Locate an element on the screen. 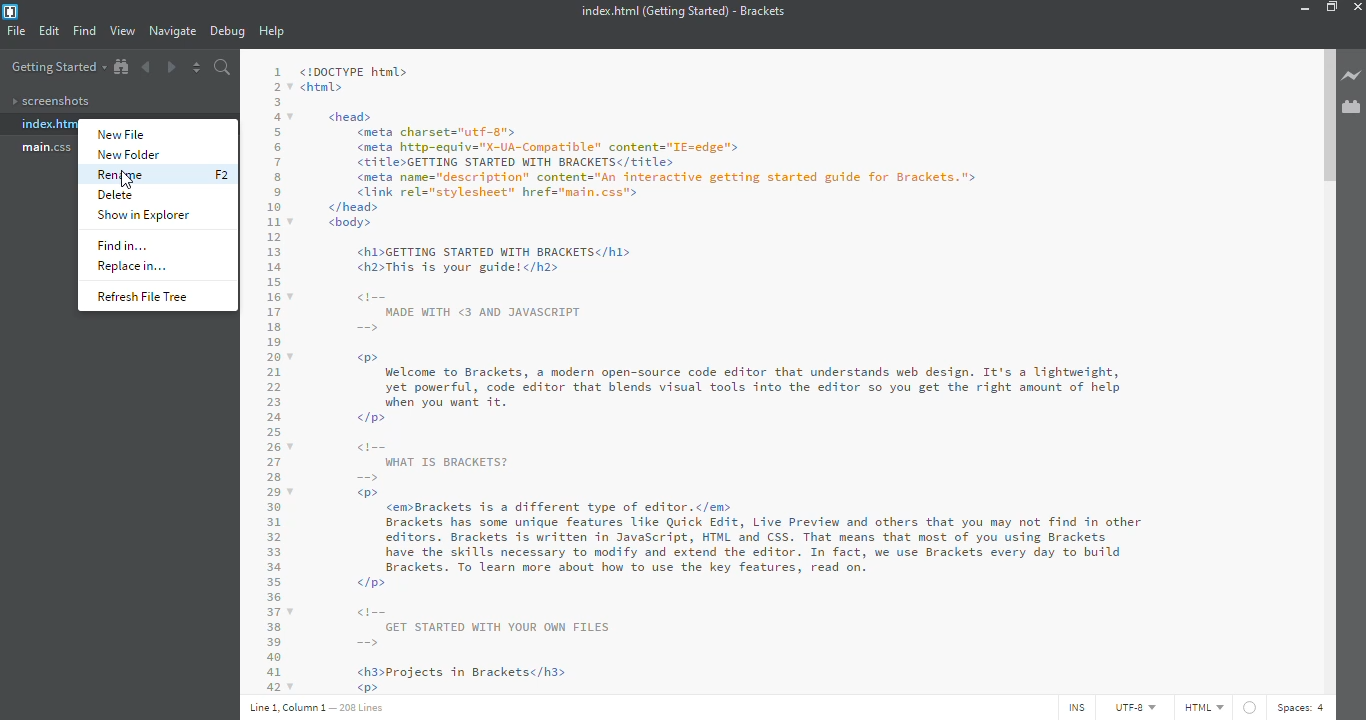 This screenshot has height=720, width=1366. replace in is located at coordinates (135, 266).